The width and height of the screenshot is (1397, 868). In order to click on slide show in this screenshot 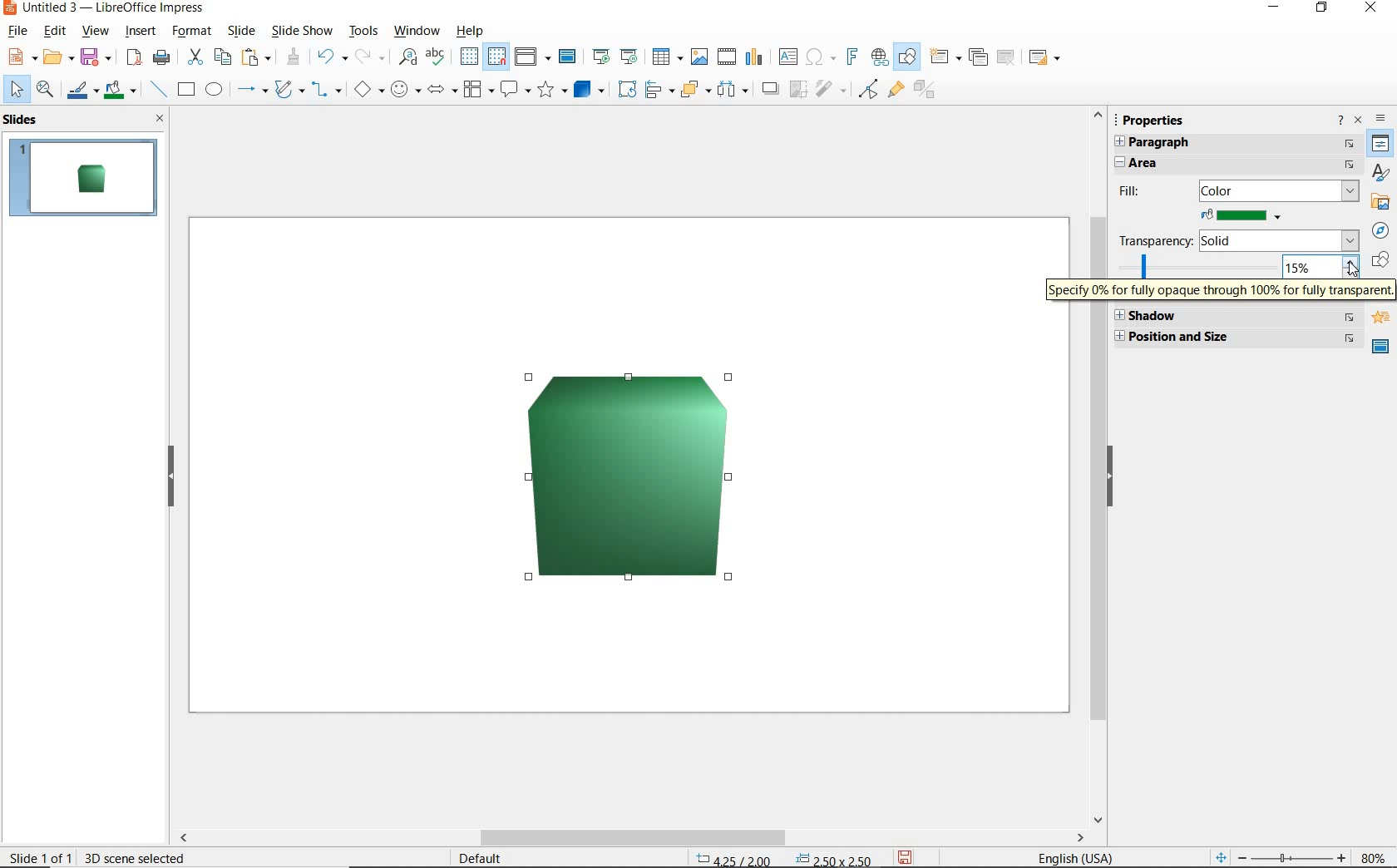, I will do `click(304, 31)`.